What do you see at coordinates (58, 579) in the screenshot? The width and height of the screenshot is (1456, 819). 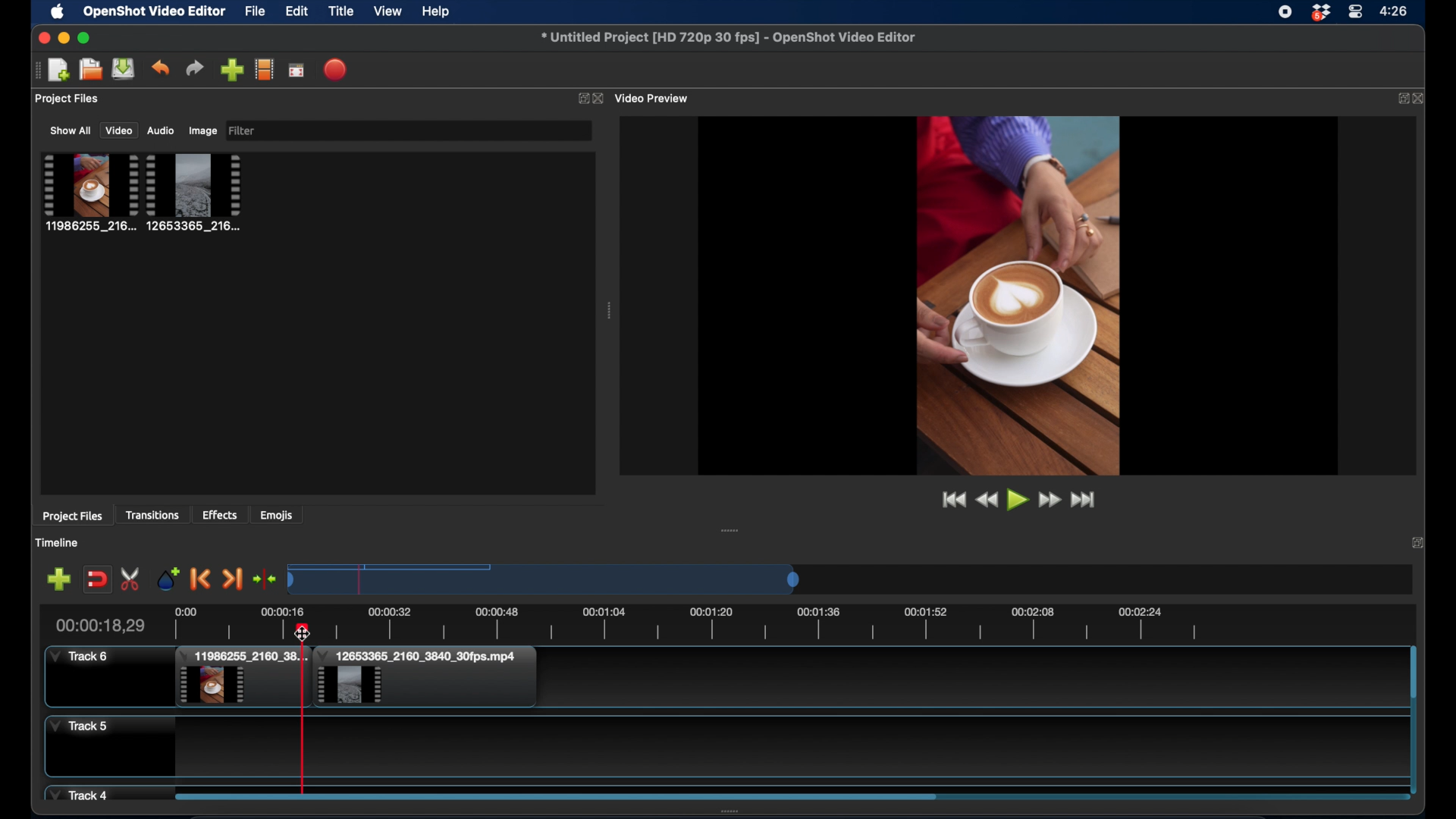 I see `add marker` at bounding box center [58, 579].